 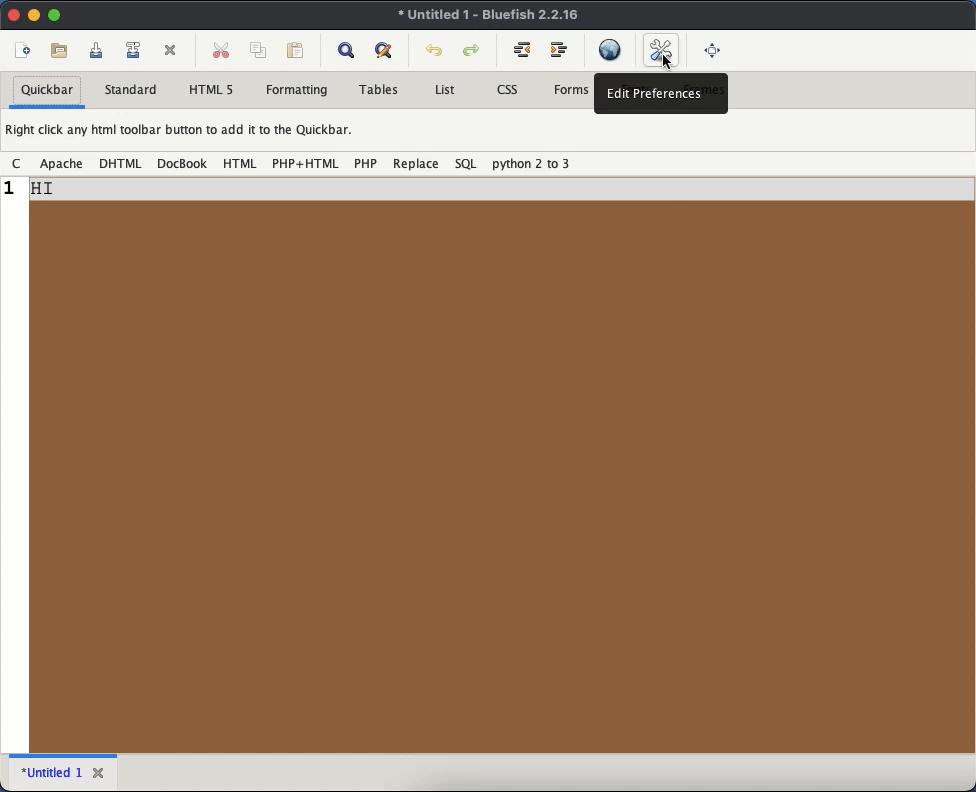 What do you see at coordinates (239, 164) in the screenshot?
I see `html` at bounding box center [239, 164].